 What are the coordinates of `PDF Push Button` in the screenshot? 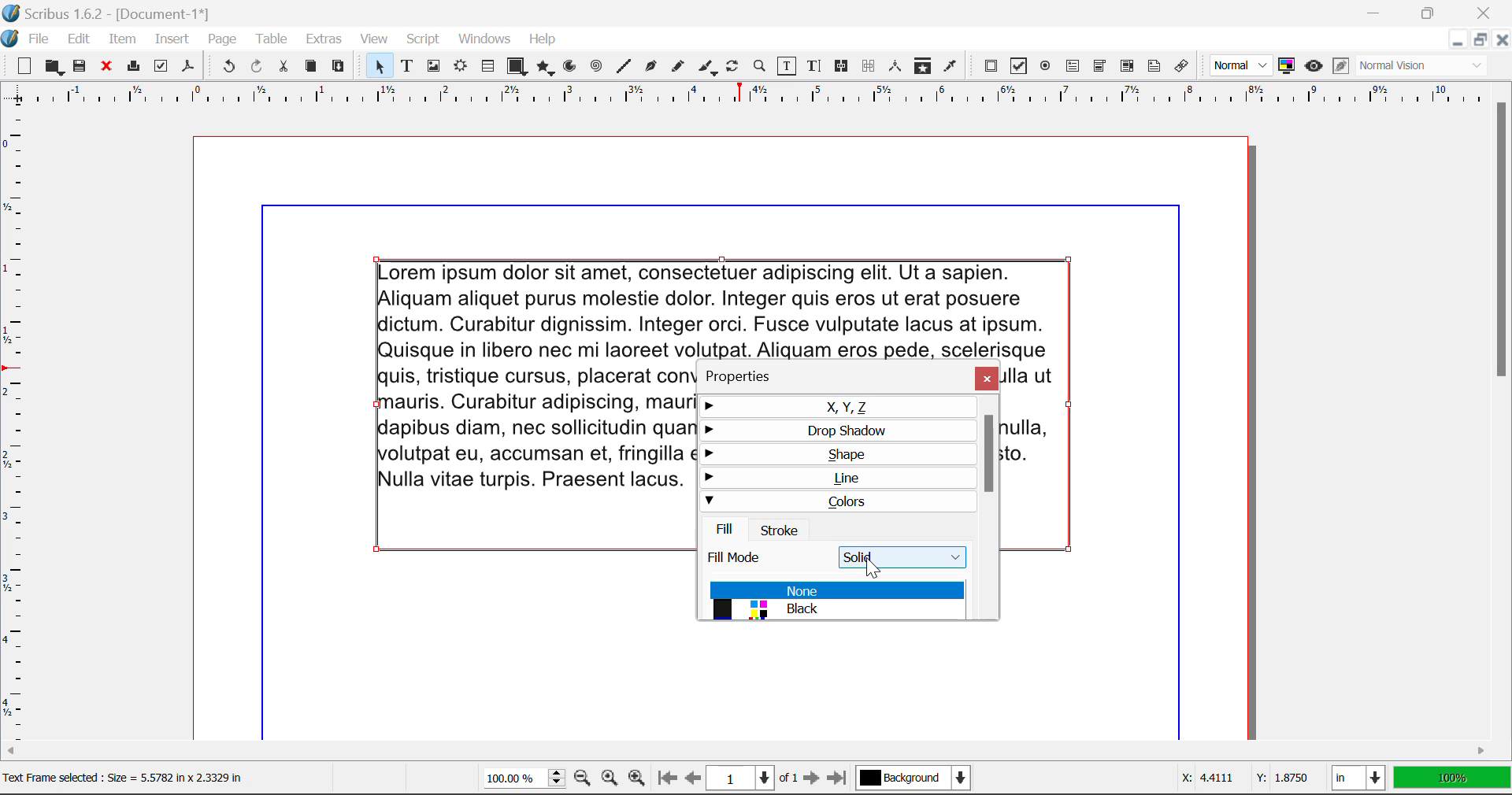 It's located at (991, 65).